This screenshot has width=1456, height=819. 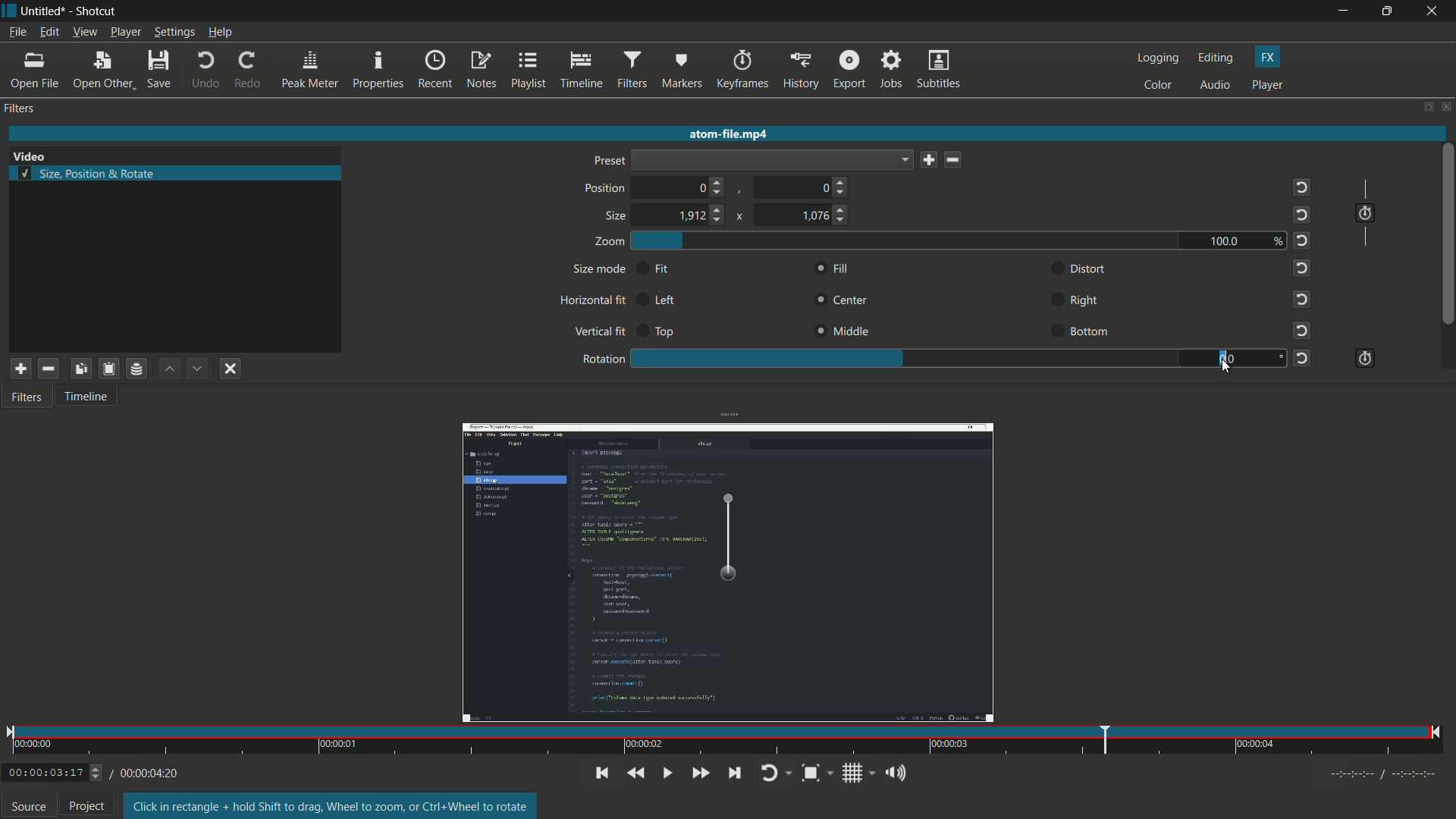 I want to click on 1912 (choose size), so click(x=702, y=215).